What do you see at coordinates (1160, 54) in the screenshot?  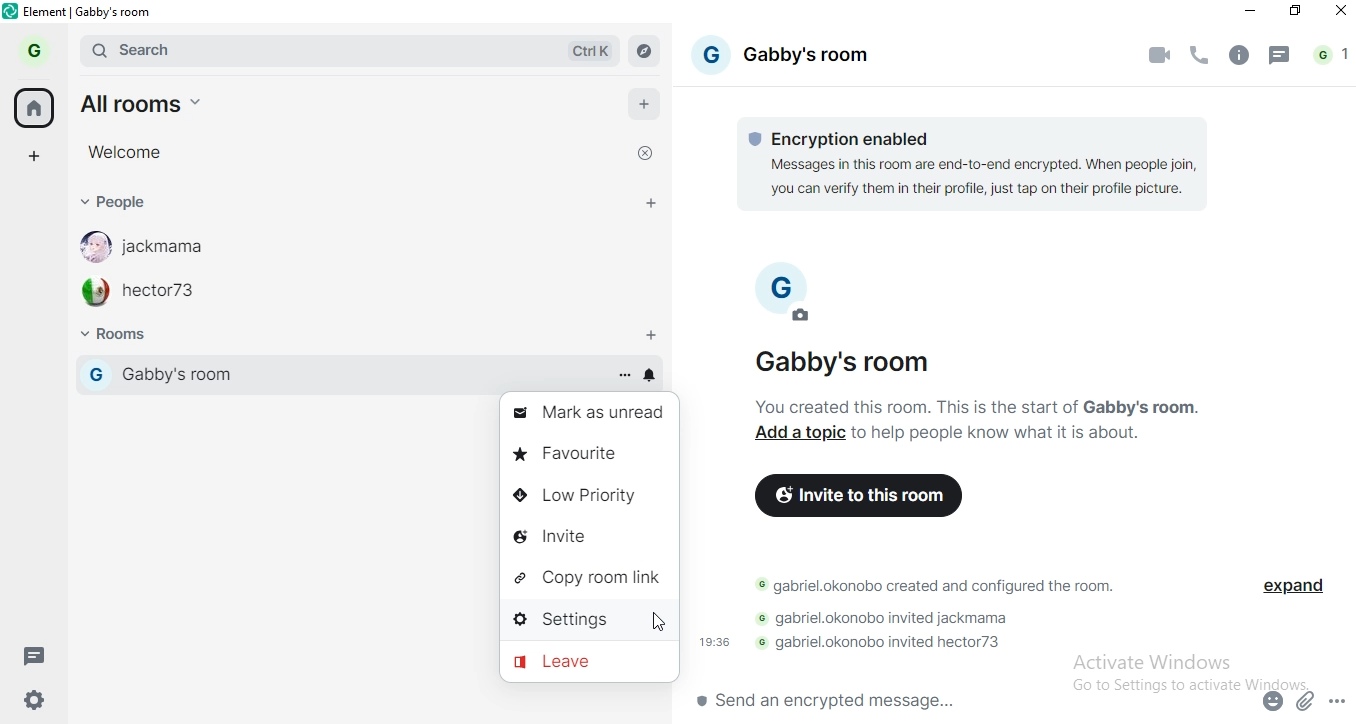 I see `video call` at bounding box center [1160, 54].